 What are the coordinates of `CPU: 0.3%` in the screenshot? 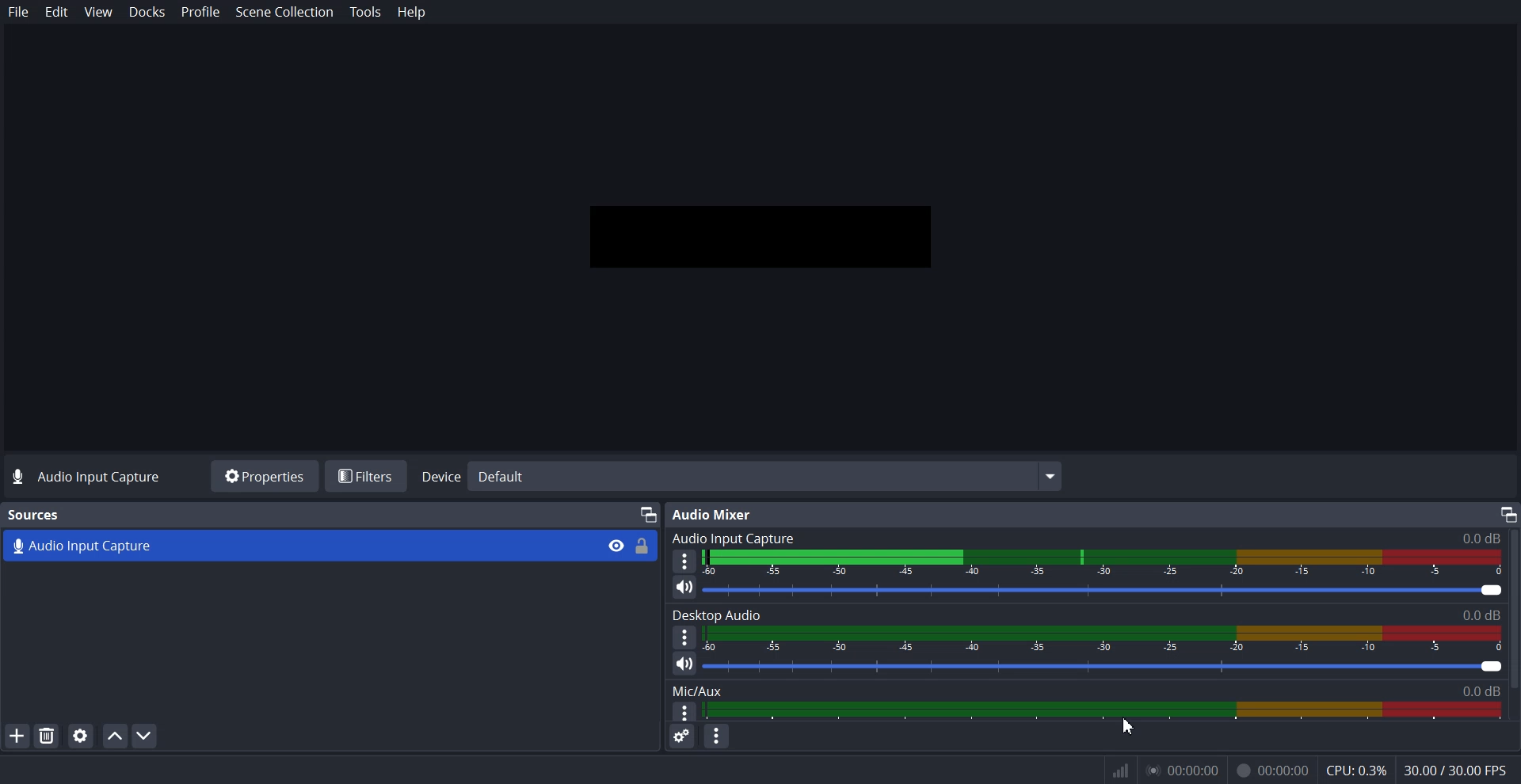 It's located at (1355, 772).